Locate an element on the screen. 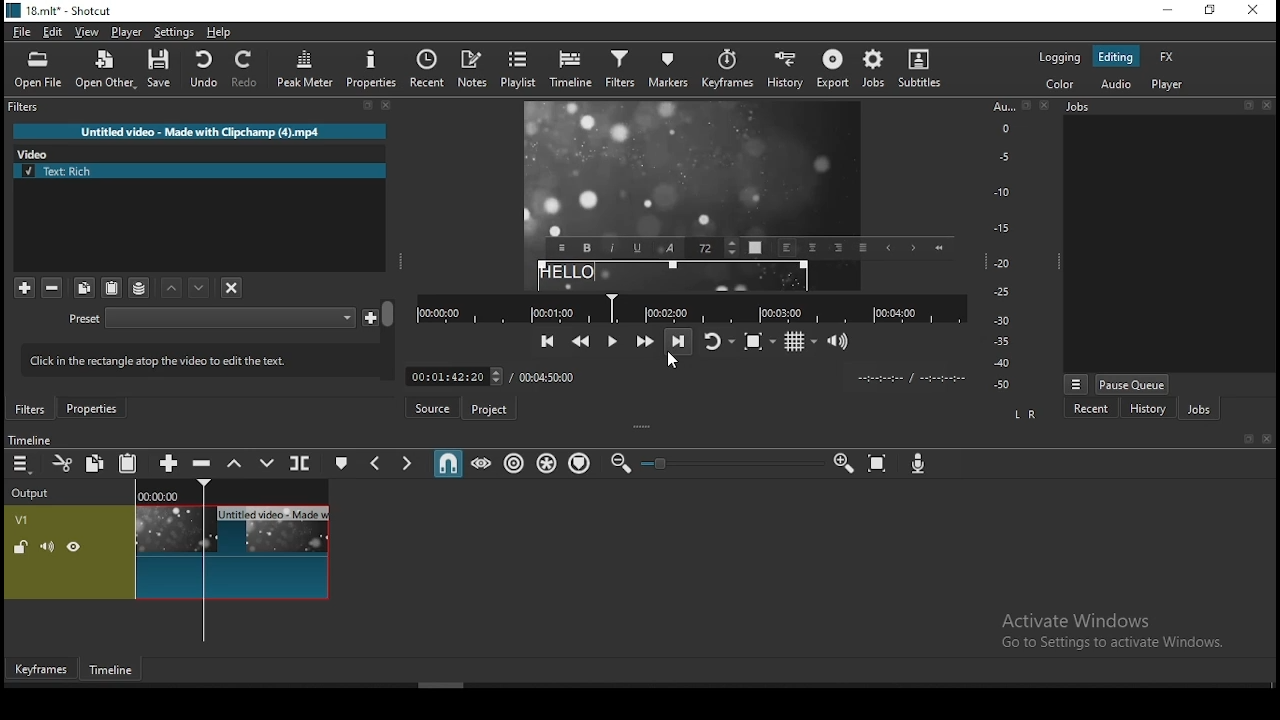 Image resolution: width=1280 pixels, height=720 pixels. jobs is located at coordinates (1198, 408).